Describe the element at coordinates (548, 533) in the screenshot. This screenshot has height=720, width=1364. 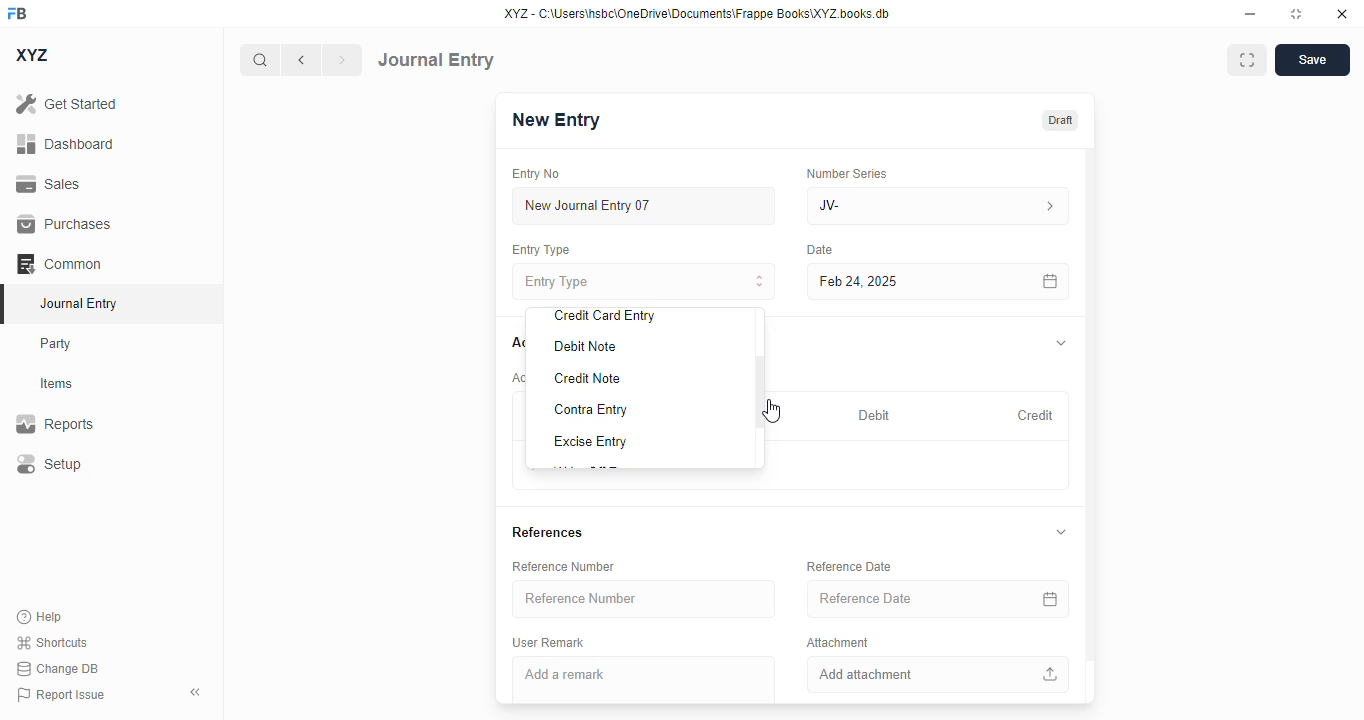
I see `references` at that location.